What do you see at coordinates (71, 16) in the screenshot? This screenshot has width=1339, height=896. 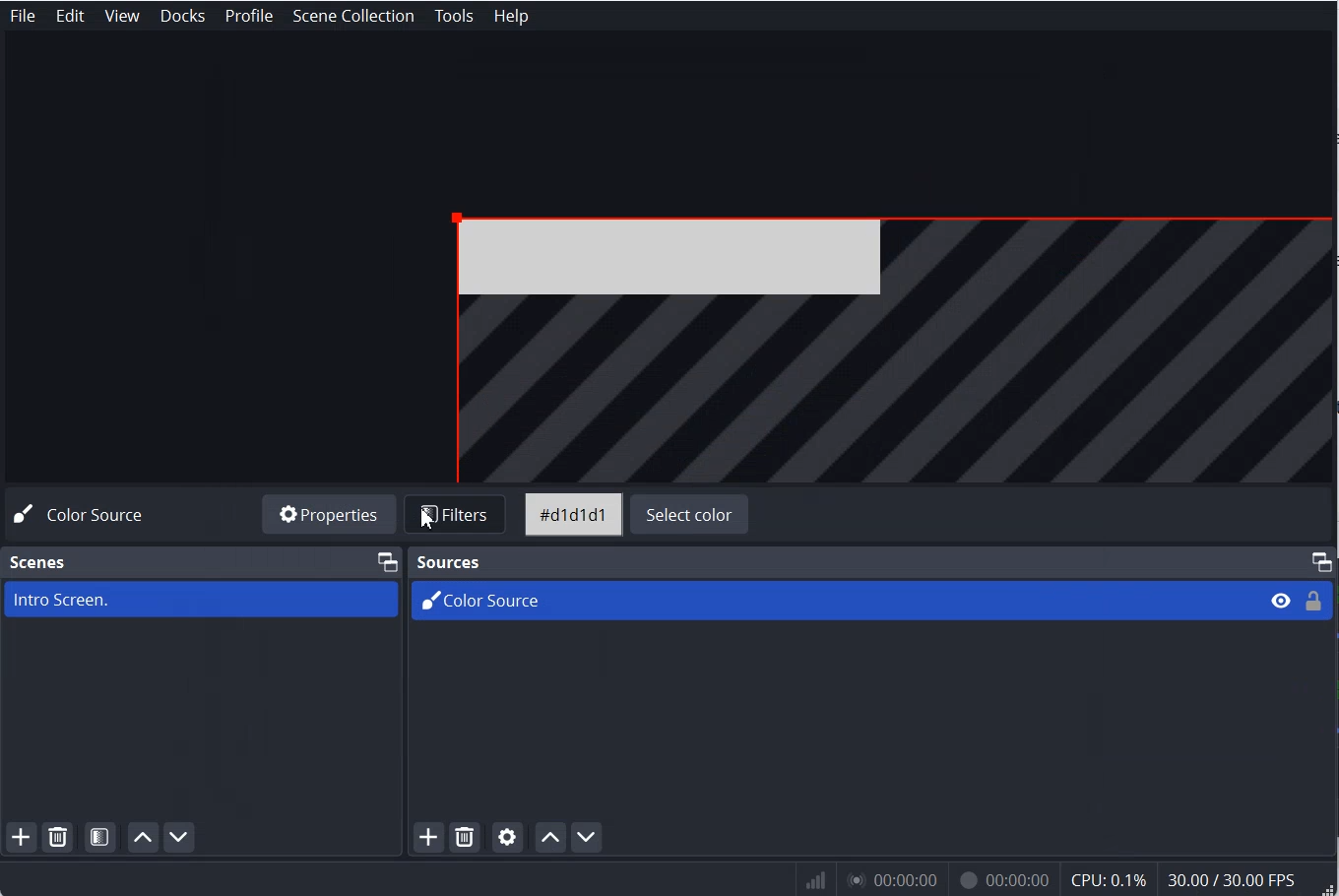 I see `Edit` at bounding box center [71, 16].